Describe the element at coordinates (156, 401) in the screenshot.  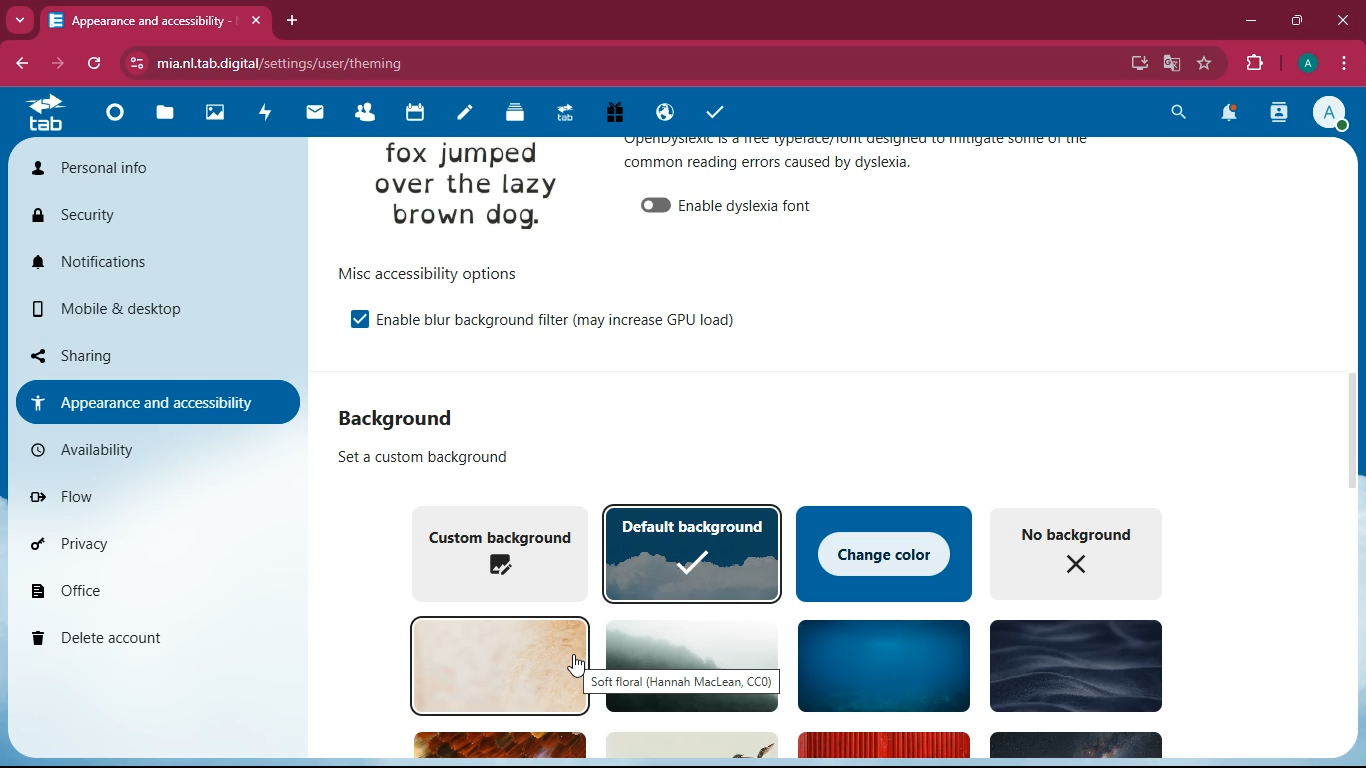
I see `appearance` at that location.